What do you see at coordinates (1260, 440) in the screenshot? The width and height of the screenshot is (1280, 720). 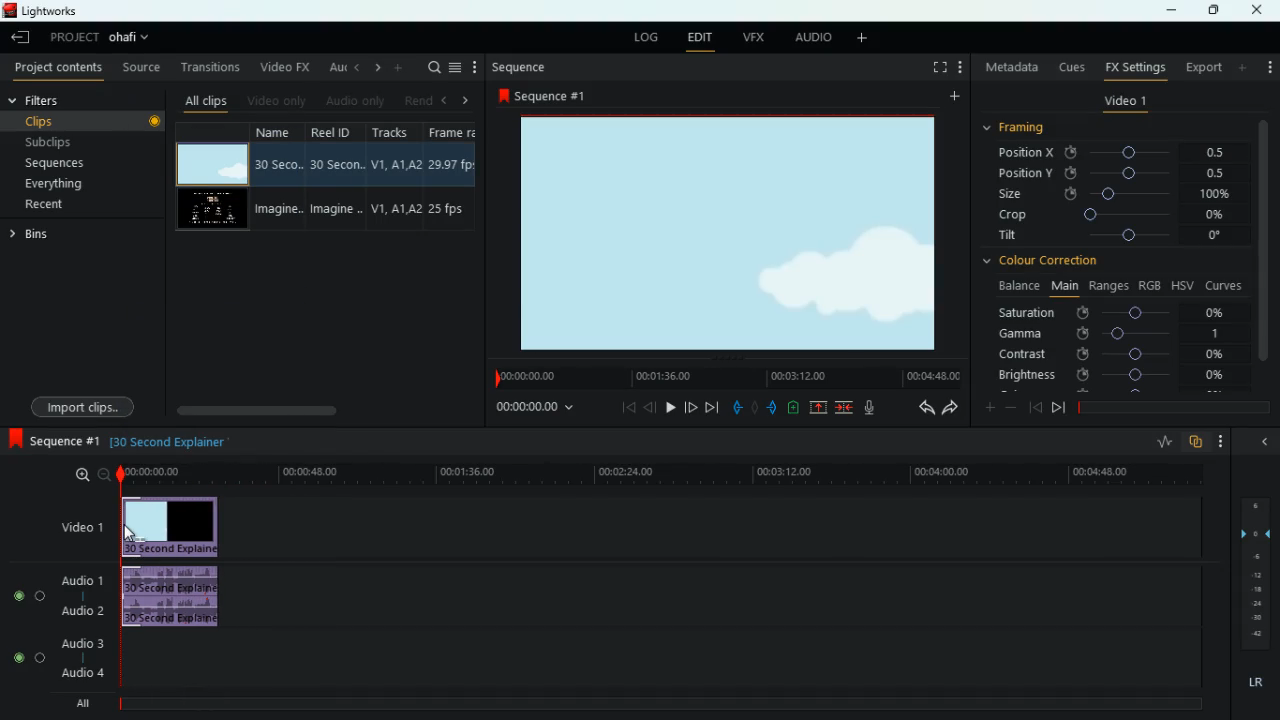 I see `hide` at bounding box center [1260, 440].